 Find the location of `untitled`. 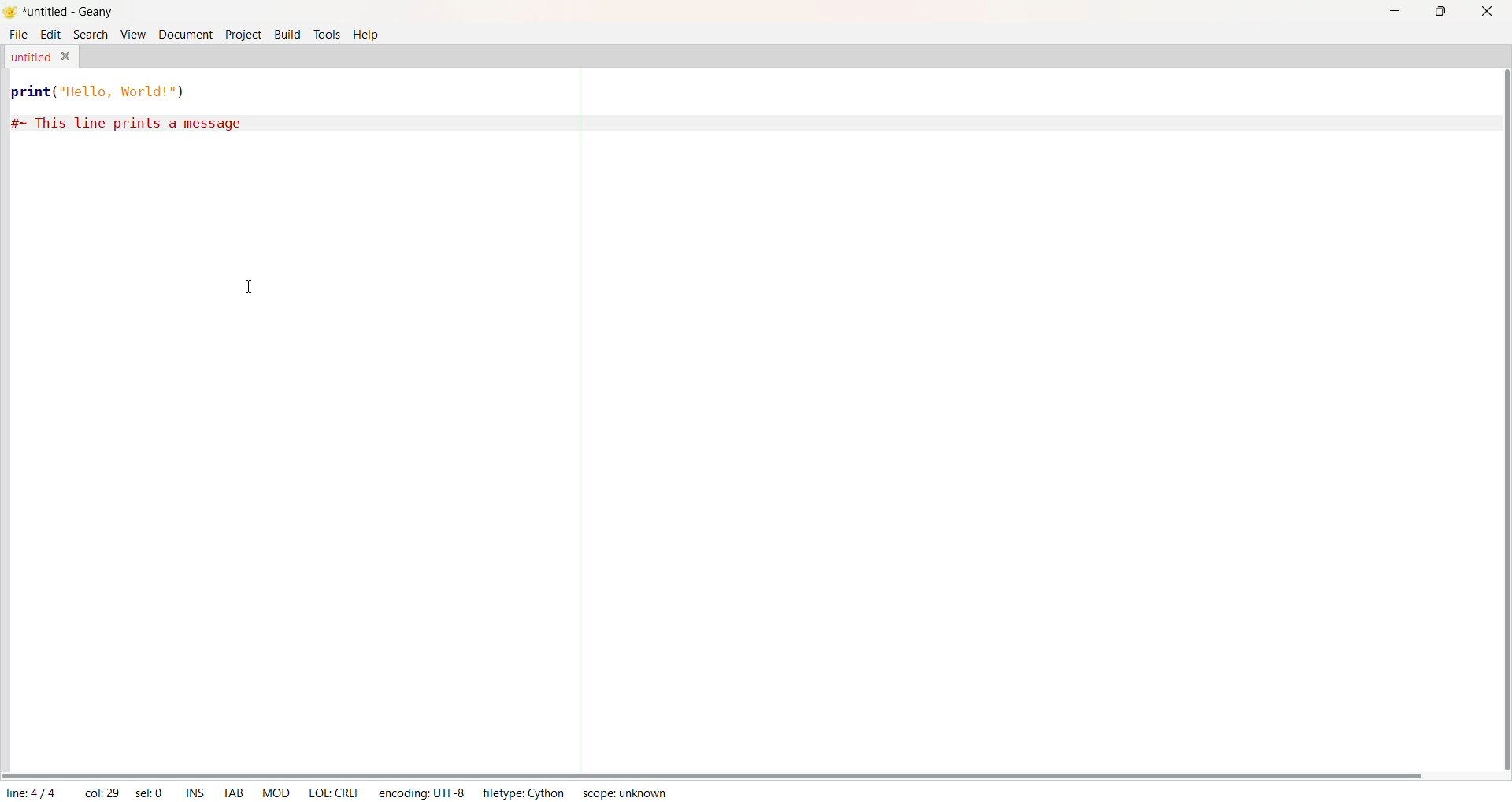

untitled is located at coordinates (30, 56).